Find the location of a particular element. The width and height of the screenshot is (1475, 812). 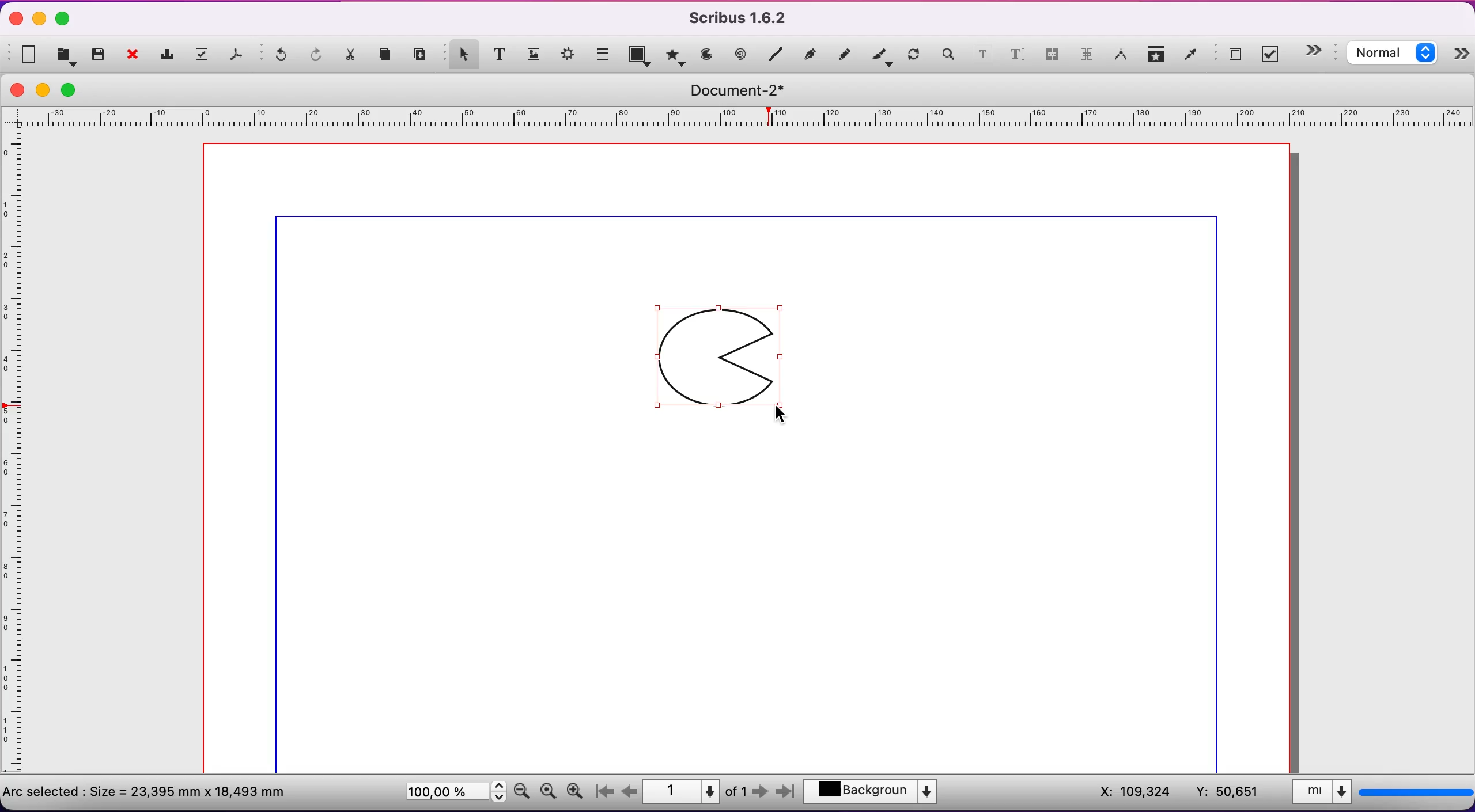

minimize is located at coordinates (40, 18).